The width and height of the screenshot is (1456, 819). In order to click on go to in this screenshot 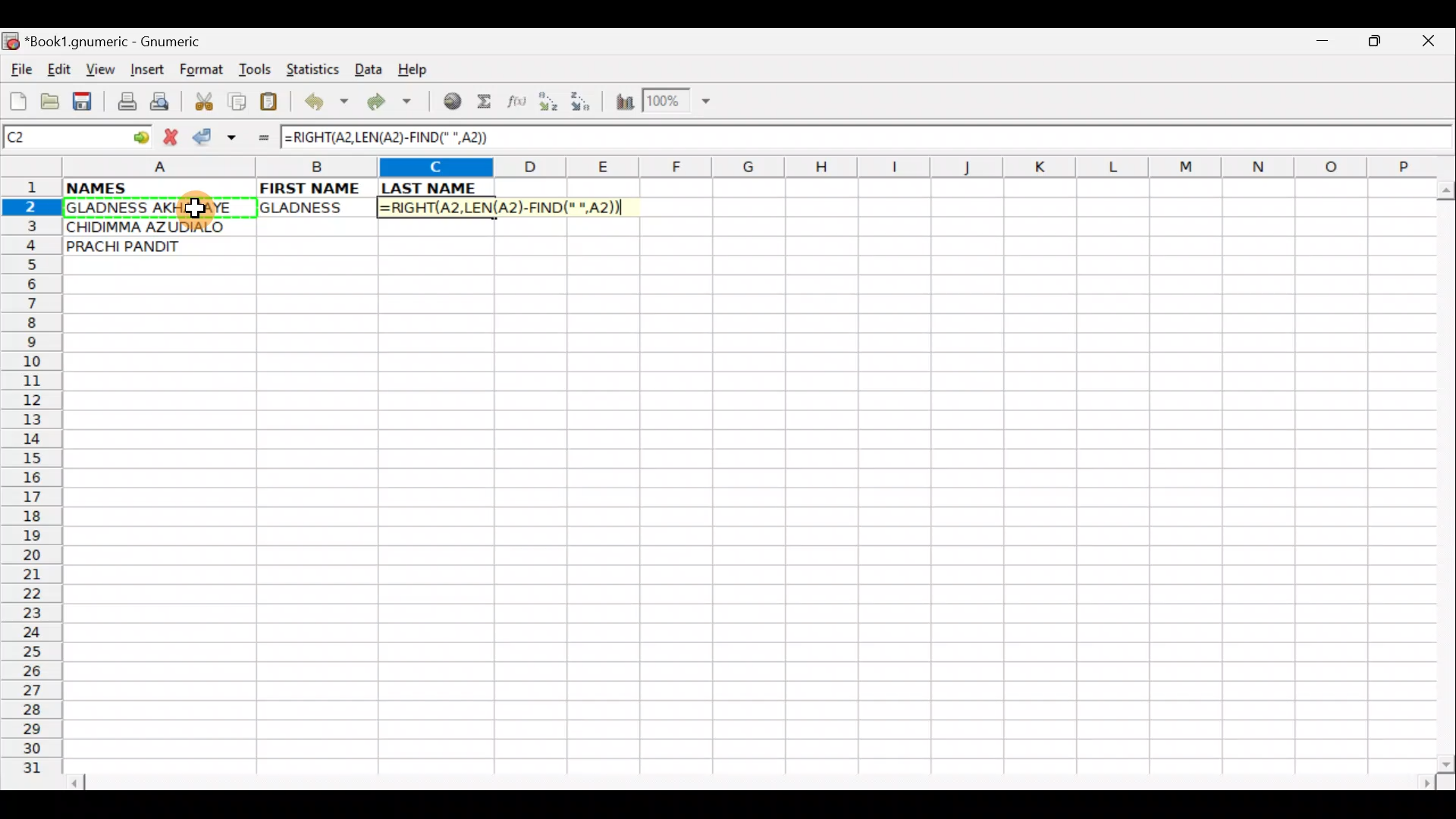, I will do `click(140, 135)`.